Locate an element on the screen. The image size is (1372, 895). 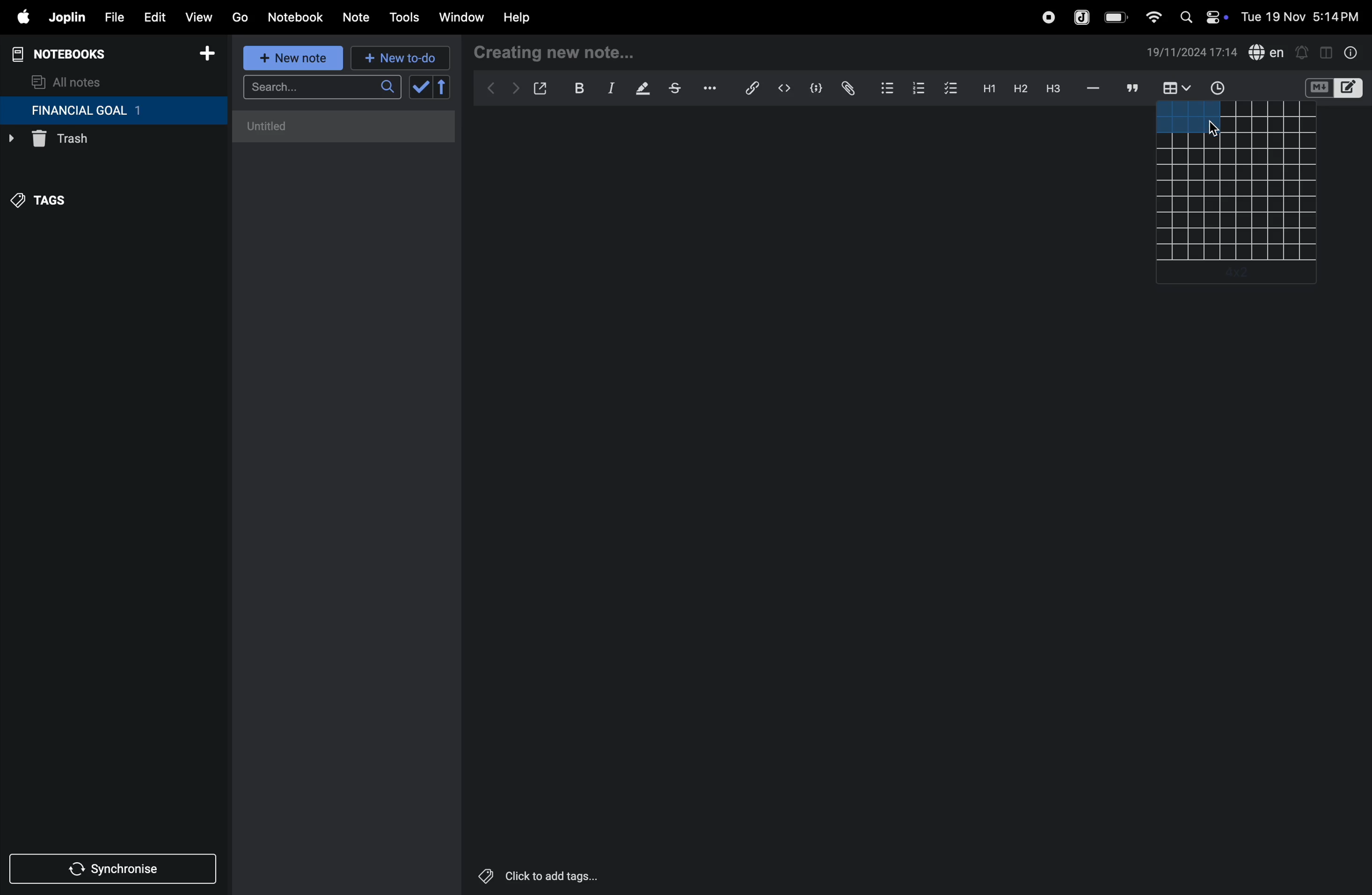
file is located at coordinates (110, 16).